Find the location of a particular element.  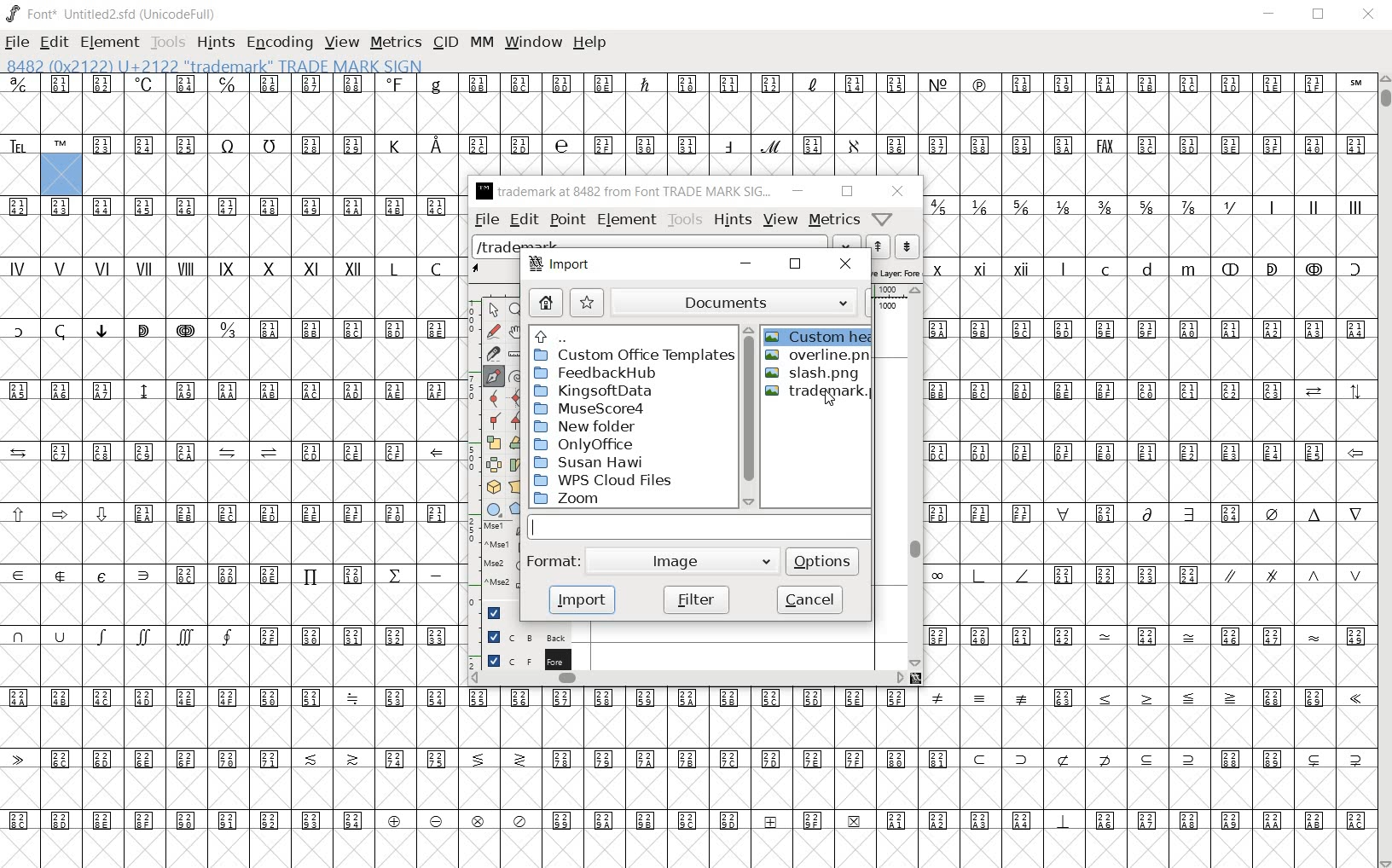

FeedbackHub is located at coordinates (594, 373).